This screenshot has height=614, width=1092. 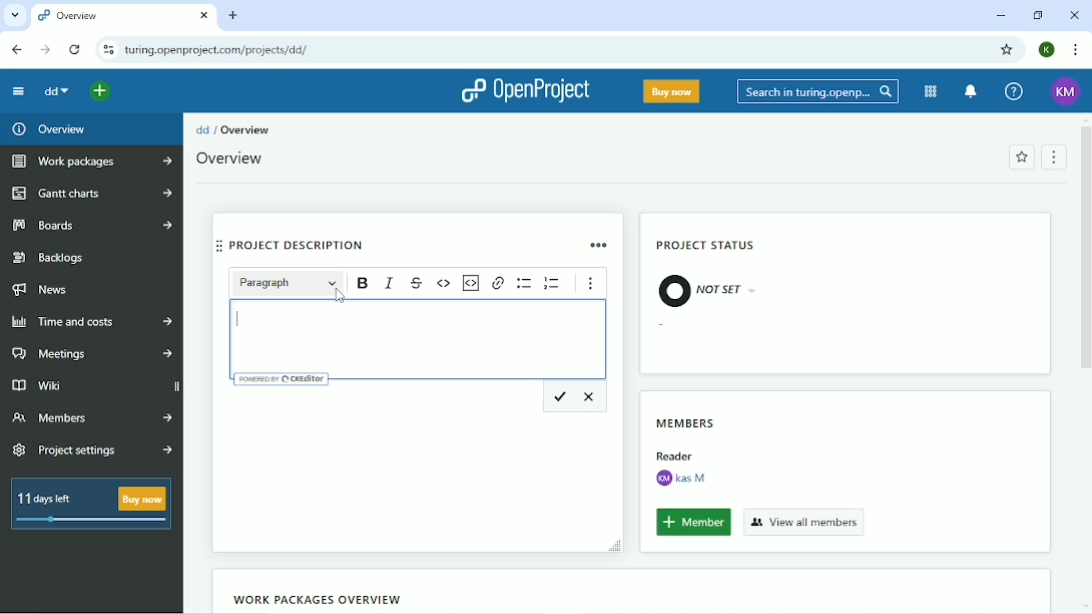 I want to click on Italic, so click(x=390, y=283).